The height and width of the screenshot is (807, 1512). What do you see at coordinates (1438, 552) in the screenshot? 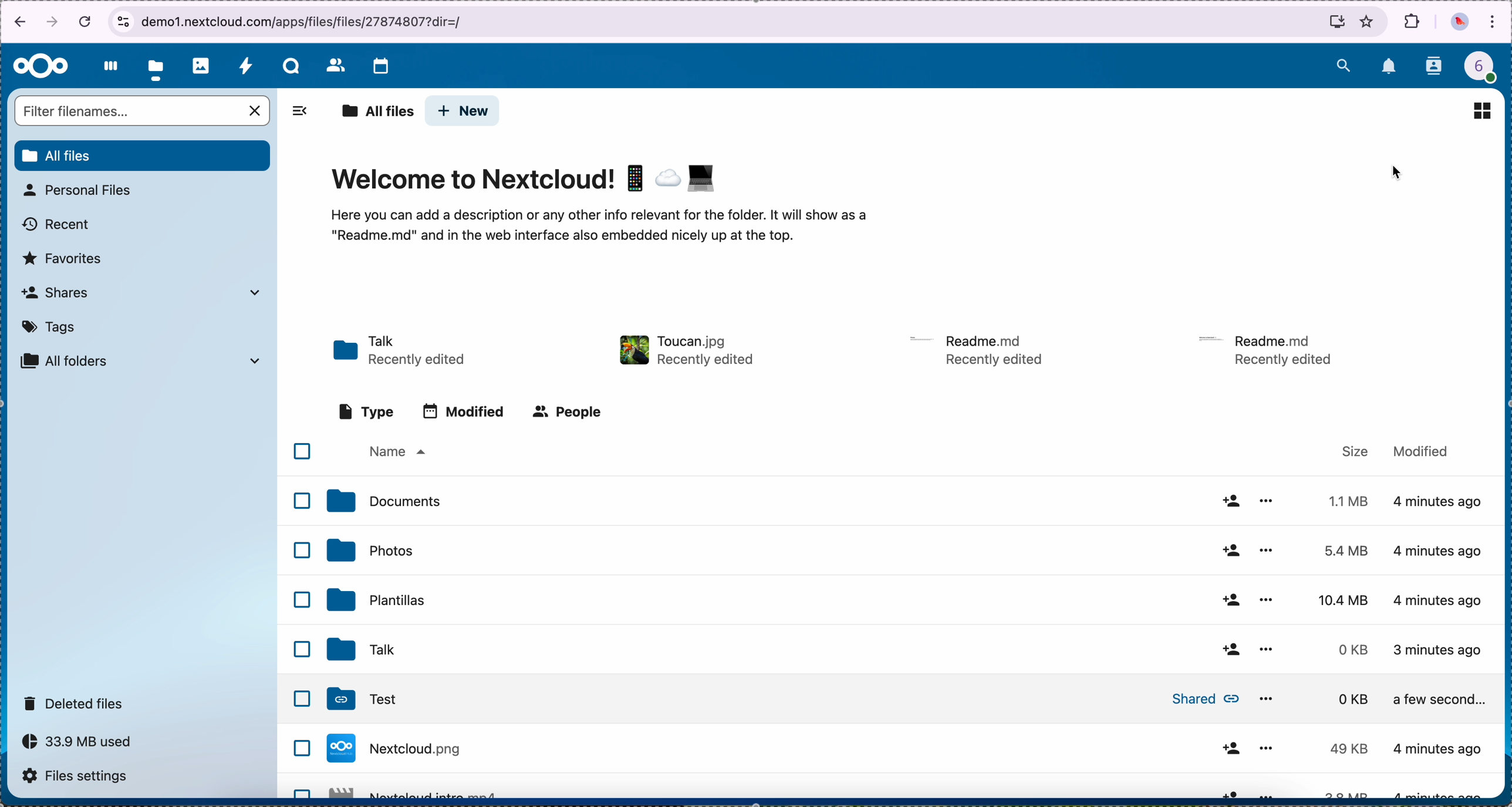
I see `4 minutes ago` at bounding box center [1438, 552].